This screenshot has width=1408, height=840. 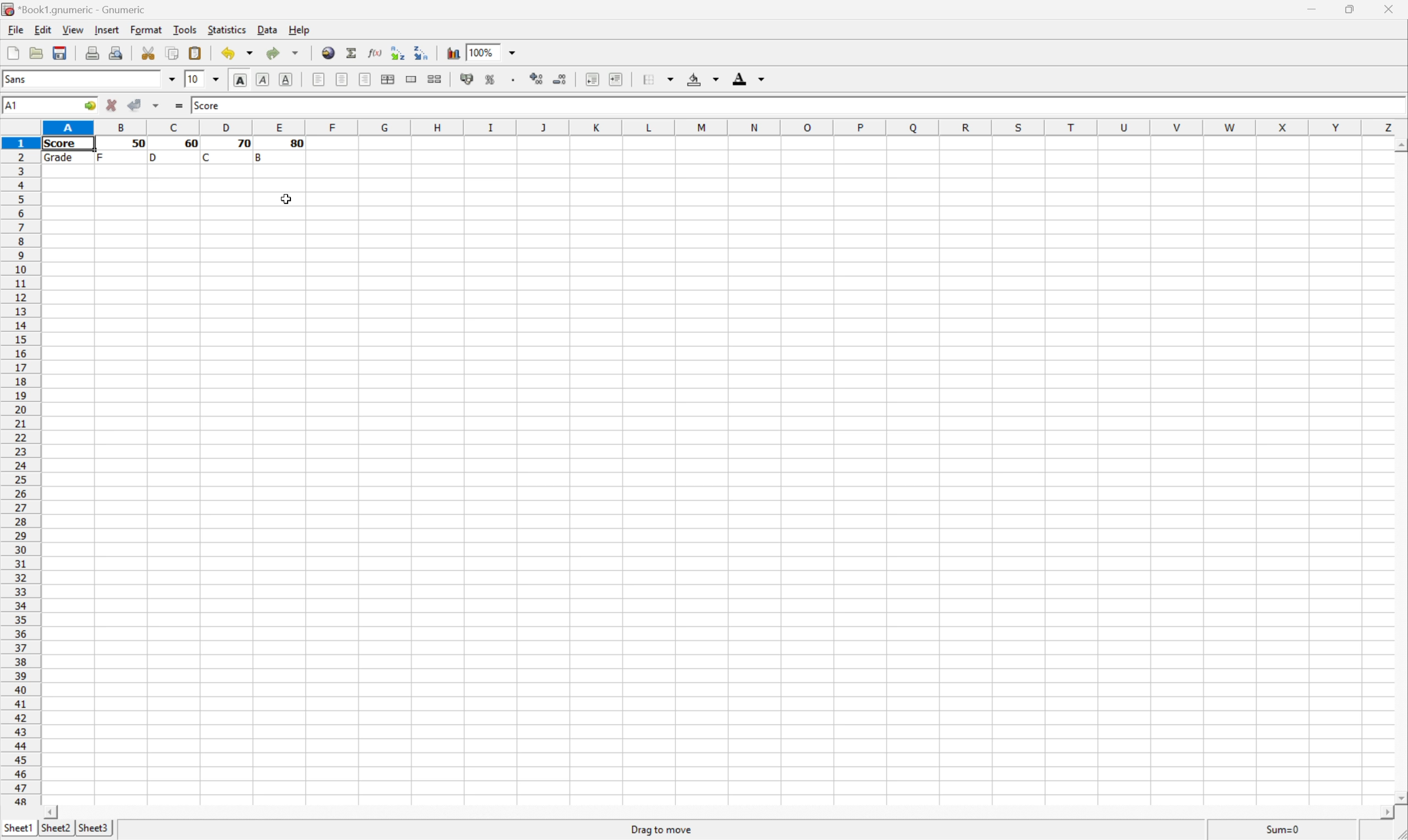 I want to click on Decrease indent, and align contents to the left, so click(x=589, y=80).